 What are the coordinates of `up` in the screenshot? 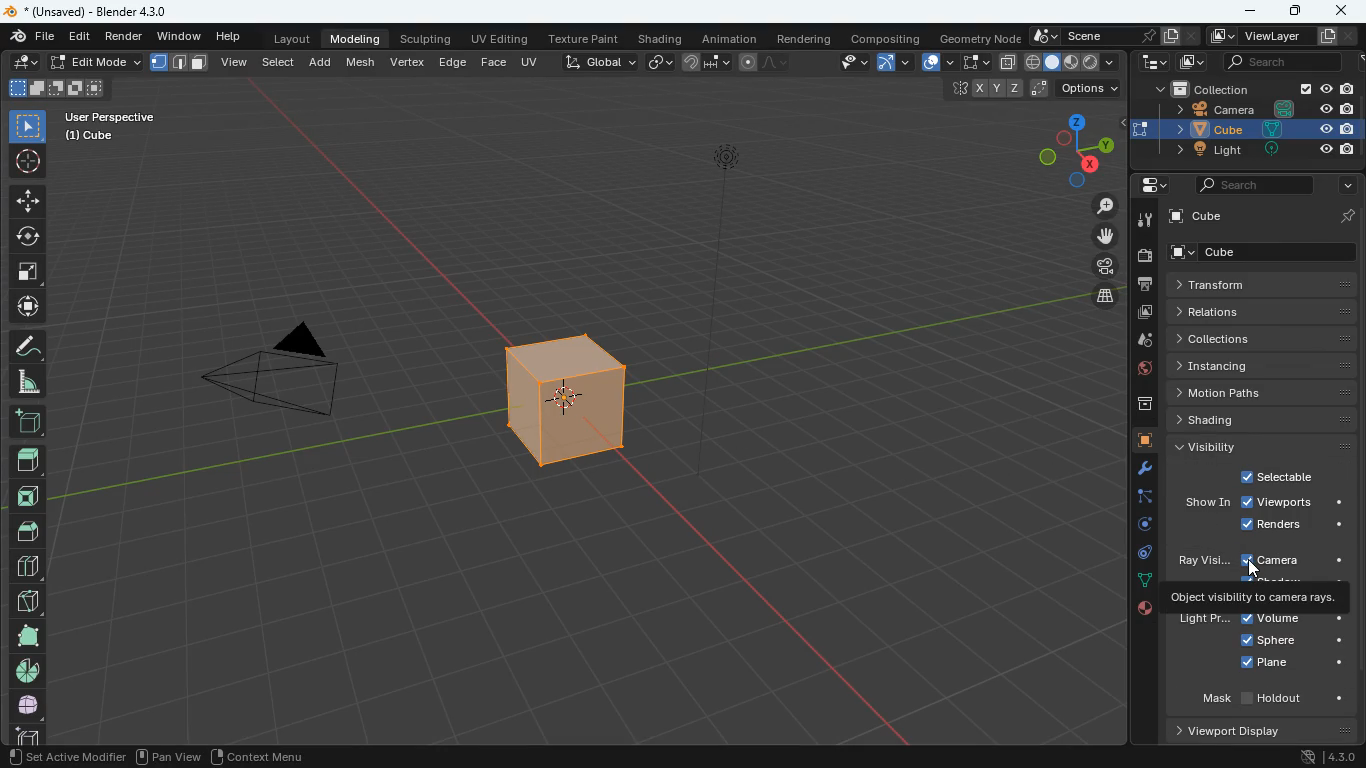 It's located at (31, 530).